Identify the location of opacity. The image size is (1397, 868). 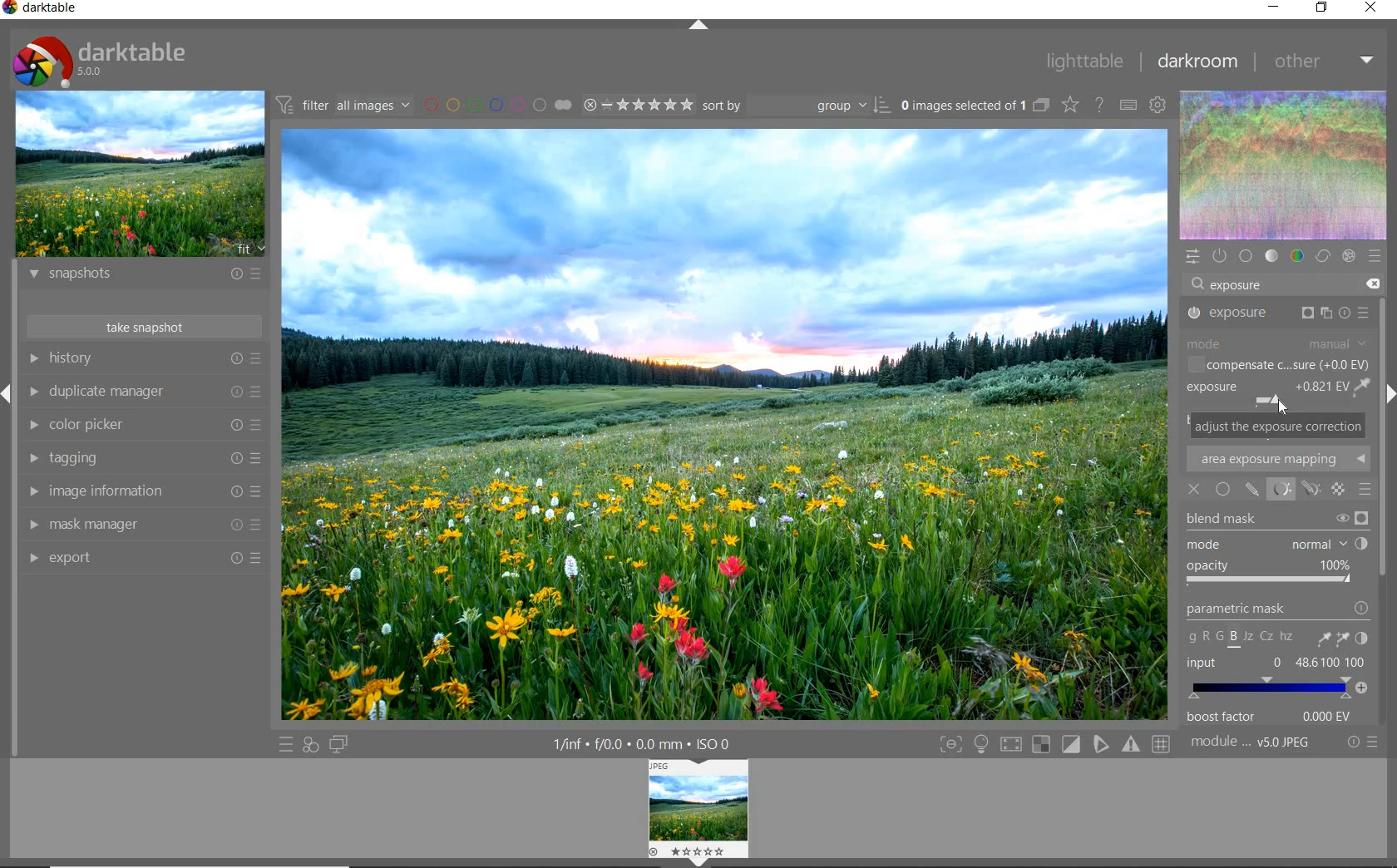
(1271, 576).